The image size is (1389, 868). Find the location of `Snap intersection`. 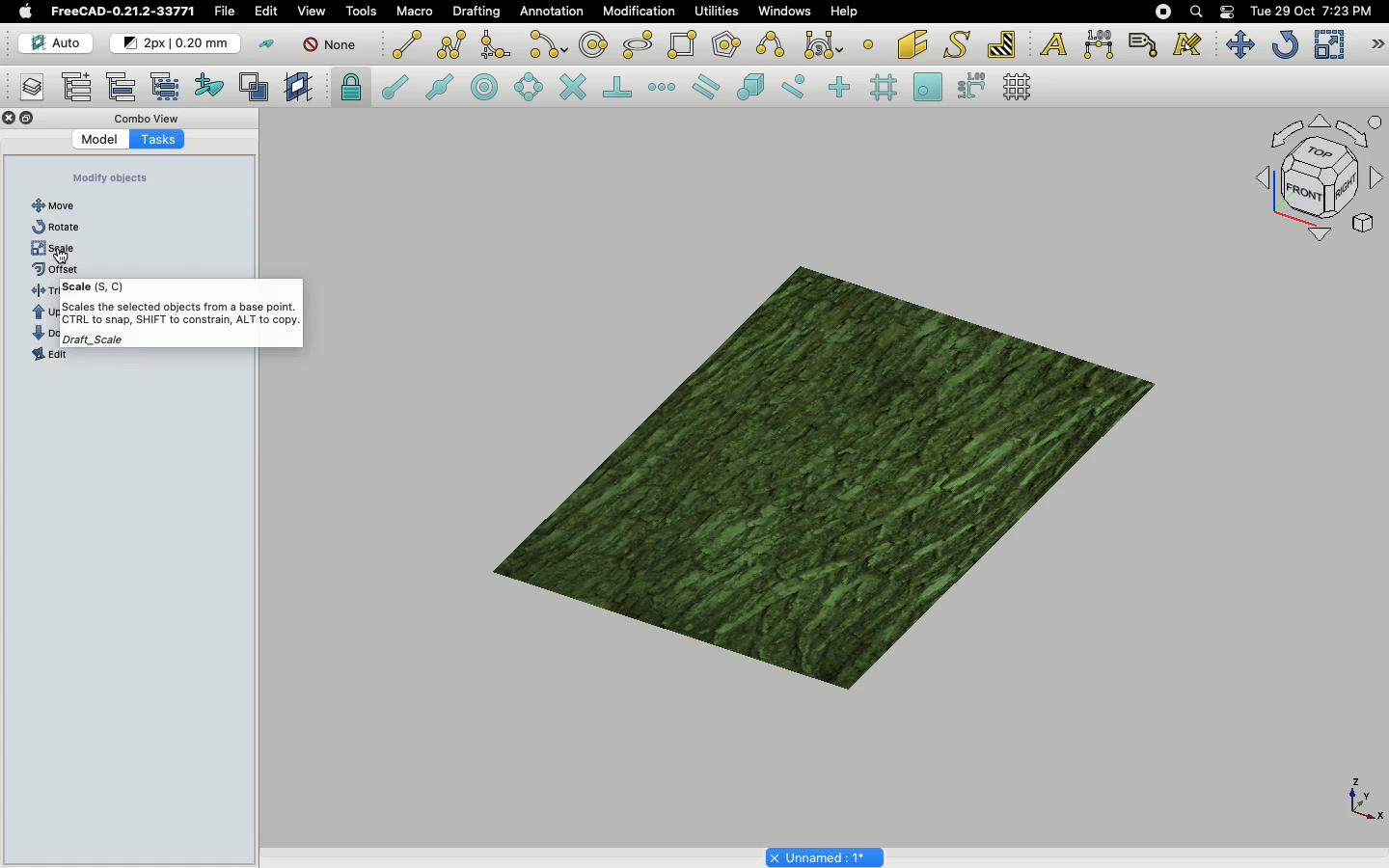

Snap intersection is located at coordinates (572, 85).